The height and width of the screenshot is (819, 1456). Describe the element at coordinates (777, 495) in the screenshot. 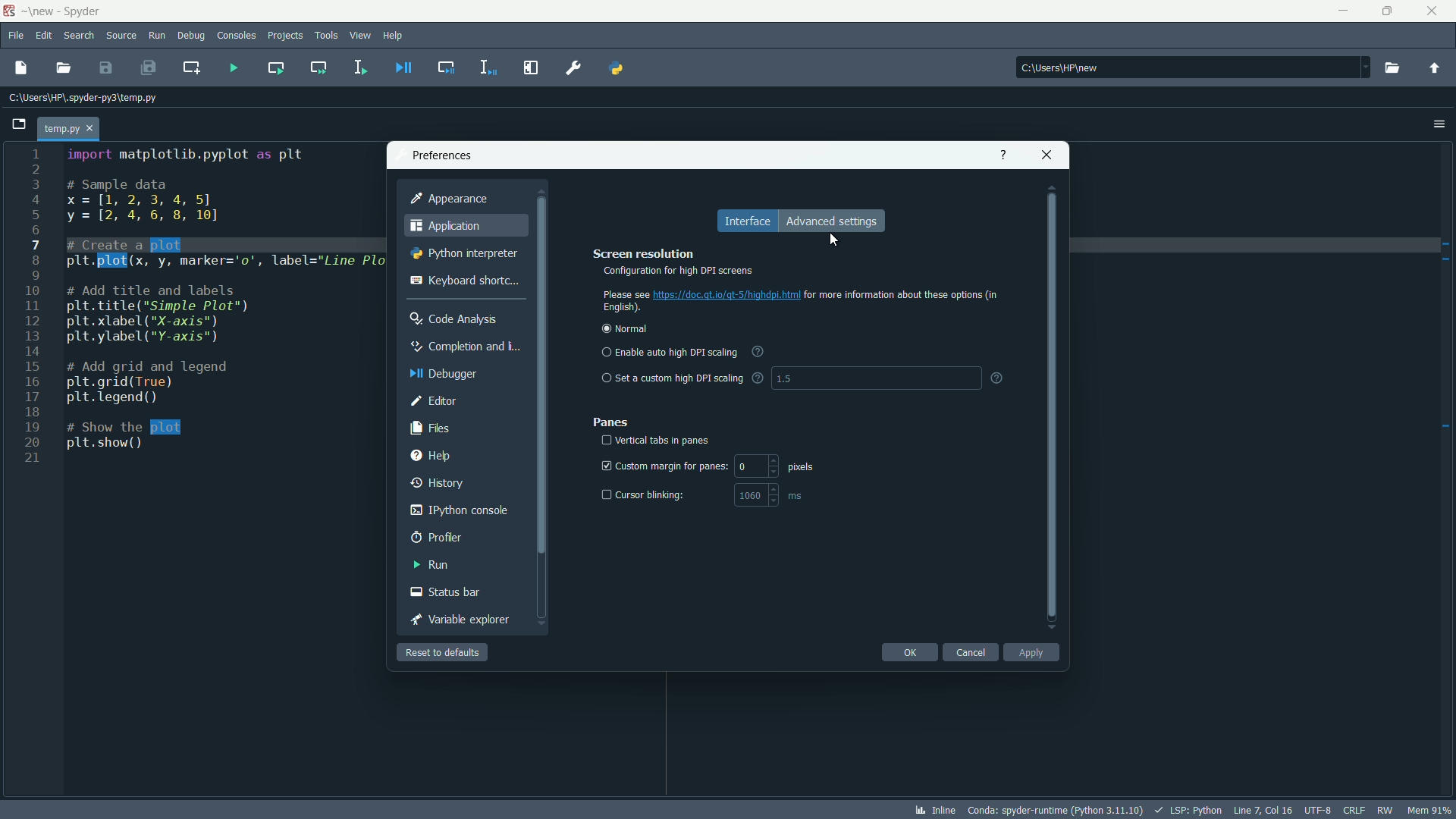

I see `increment/decrement` at that location.